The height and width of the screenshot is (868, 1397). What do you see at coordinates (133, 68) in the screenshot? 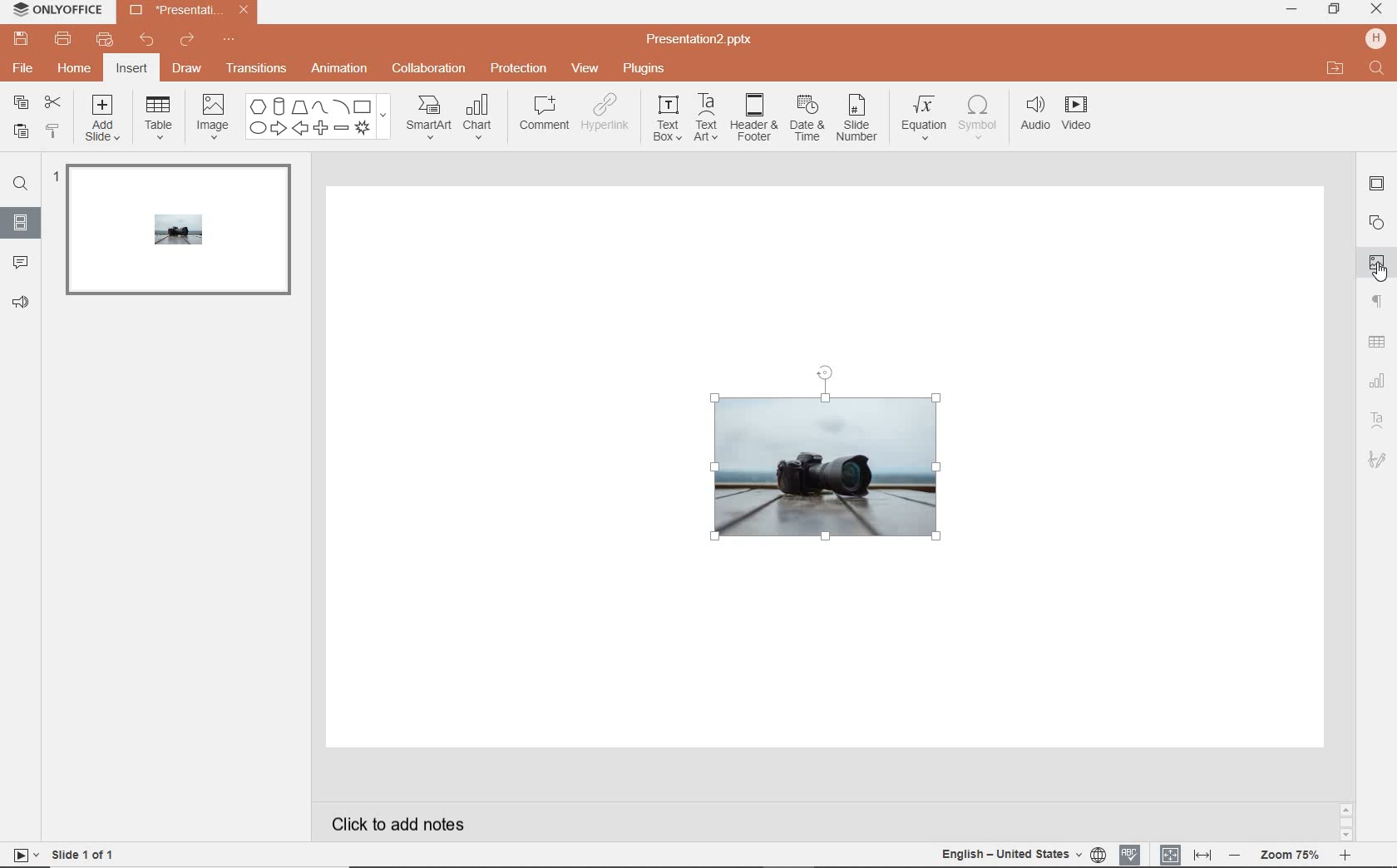
I see `insert` at bounding box center [133, 68].